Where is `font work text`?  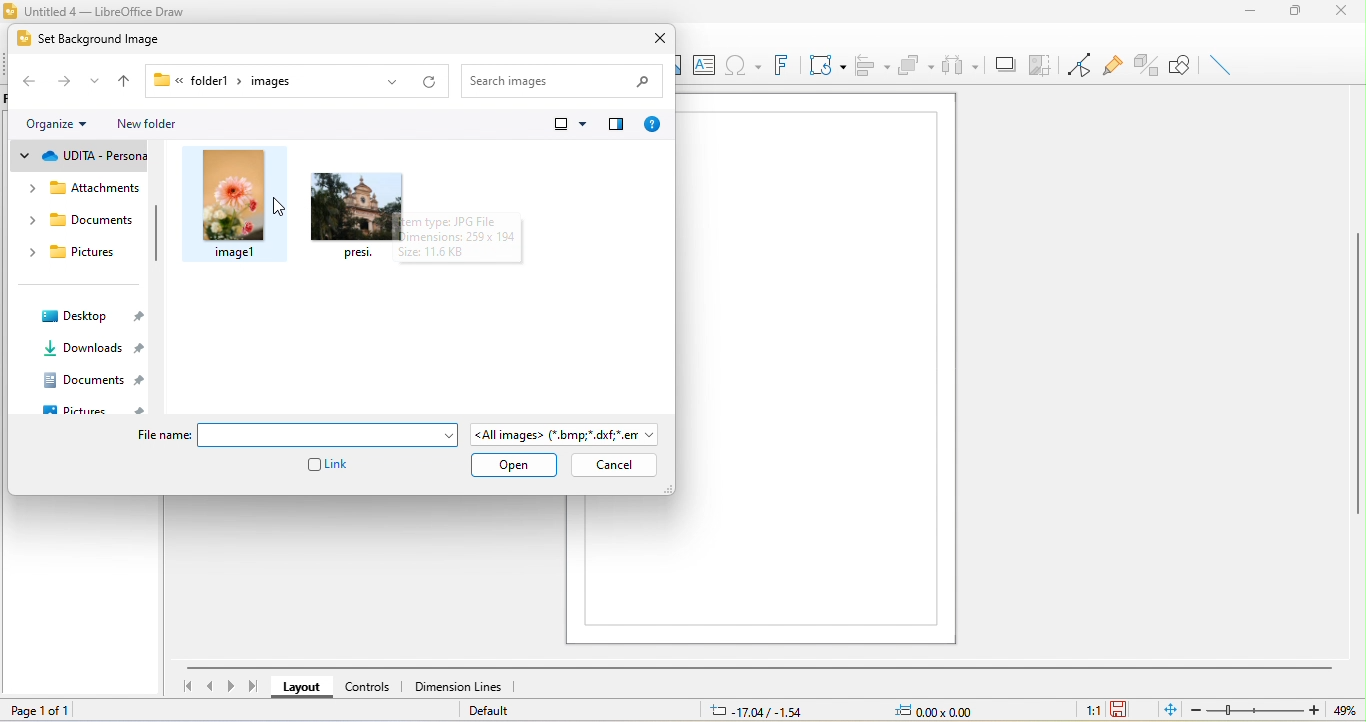 font work text is located at coordinates (784, 68).